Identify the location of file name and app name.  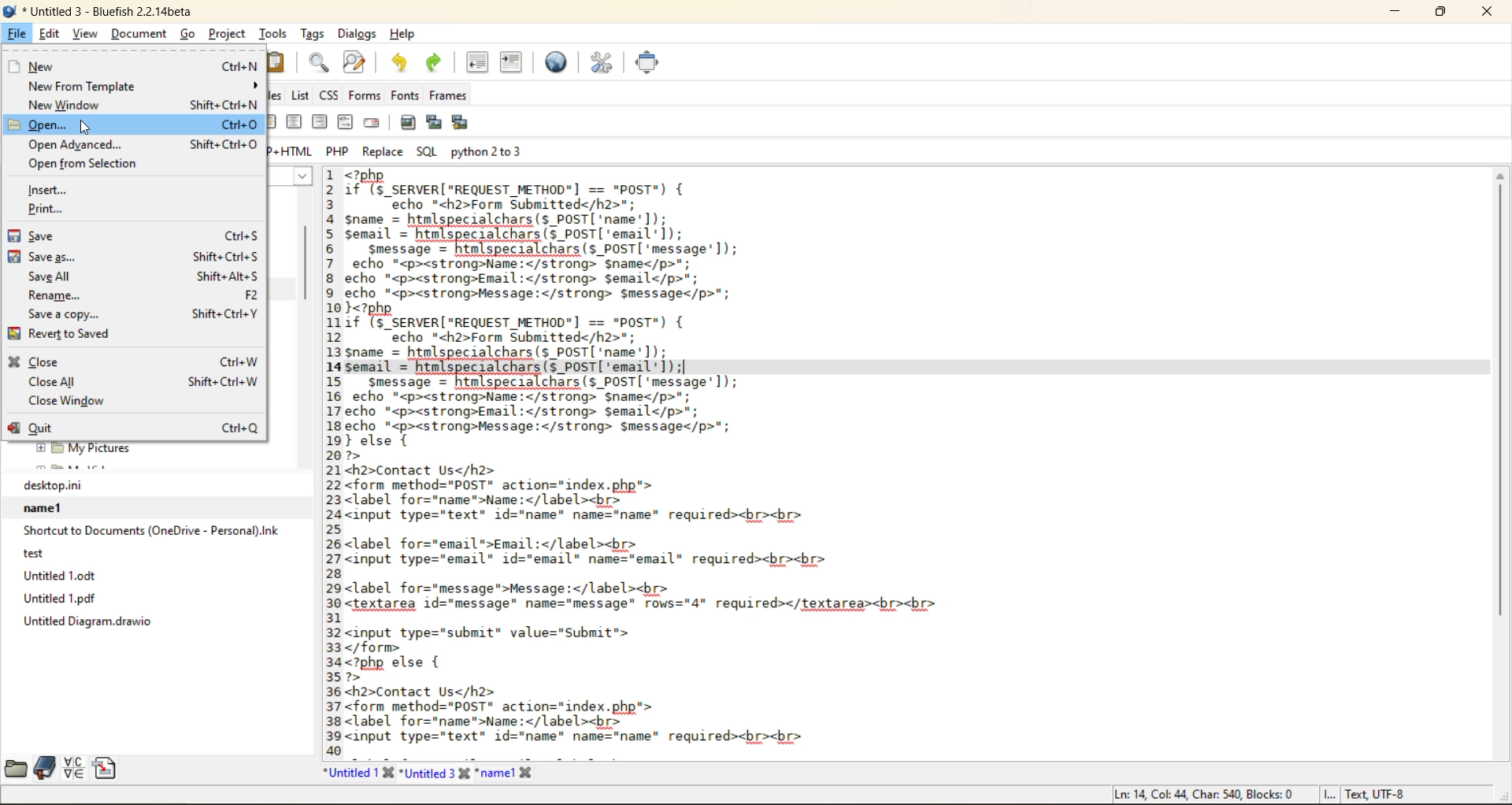
(103, 12).